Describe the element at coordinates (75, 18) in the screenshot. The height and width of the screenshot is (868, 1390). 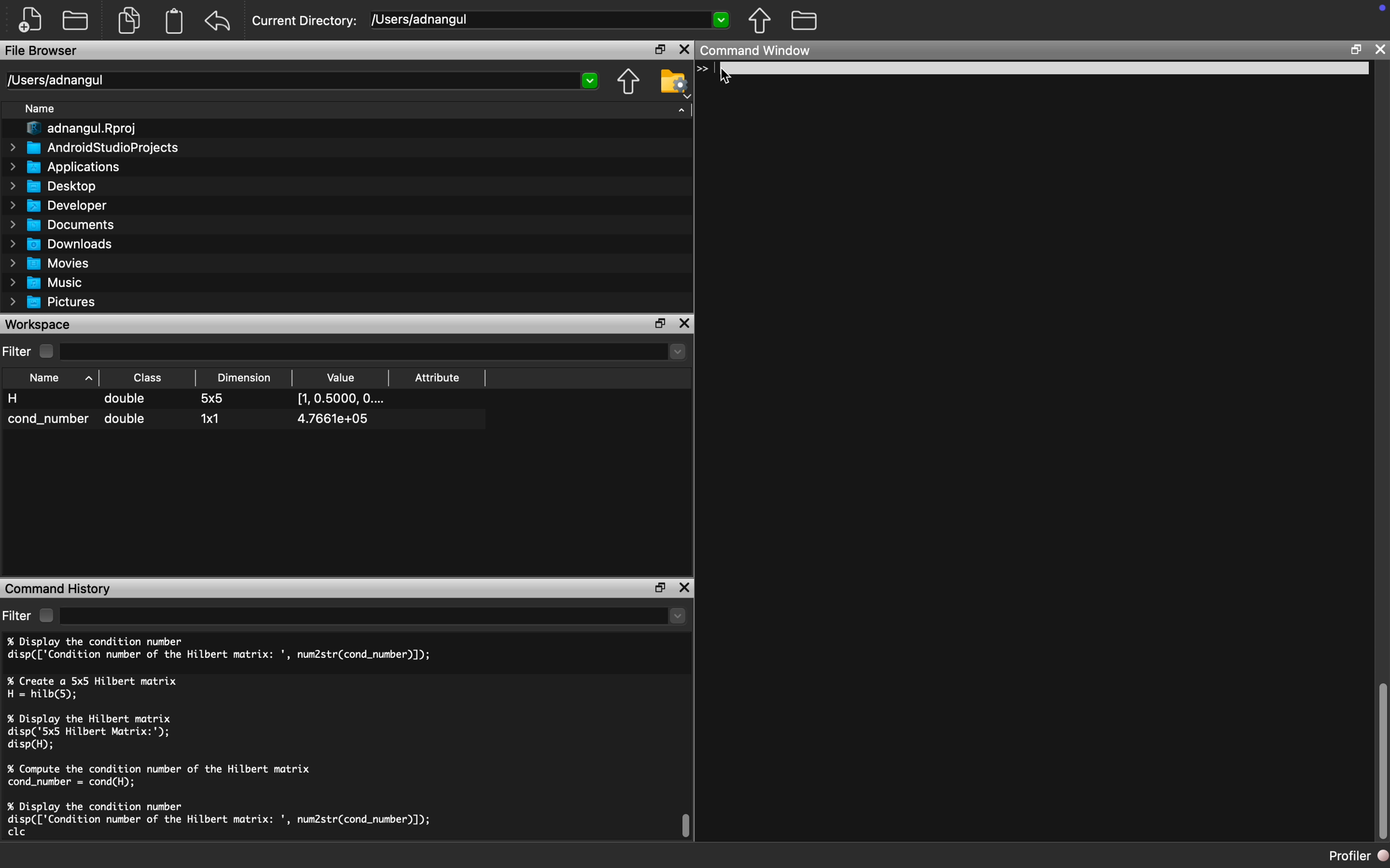
I see `Open Folder` at that location.